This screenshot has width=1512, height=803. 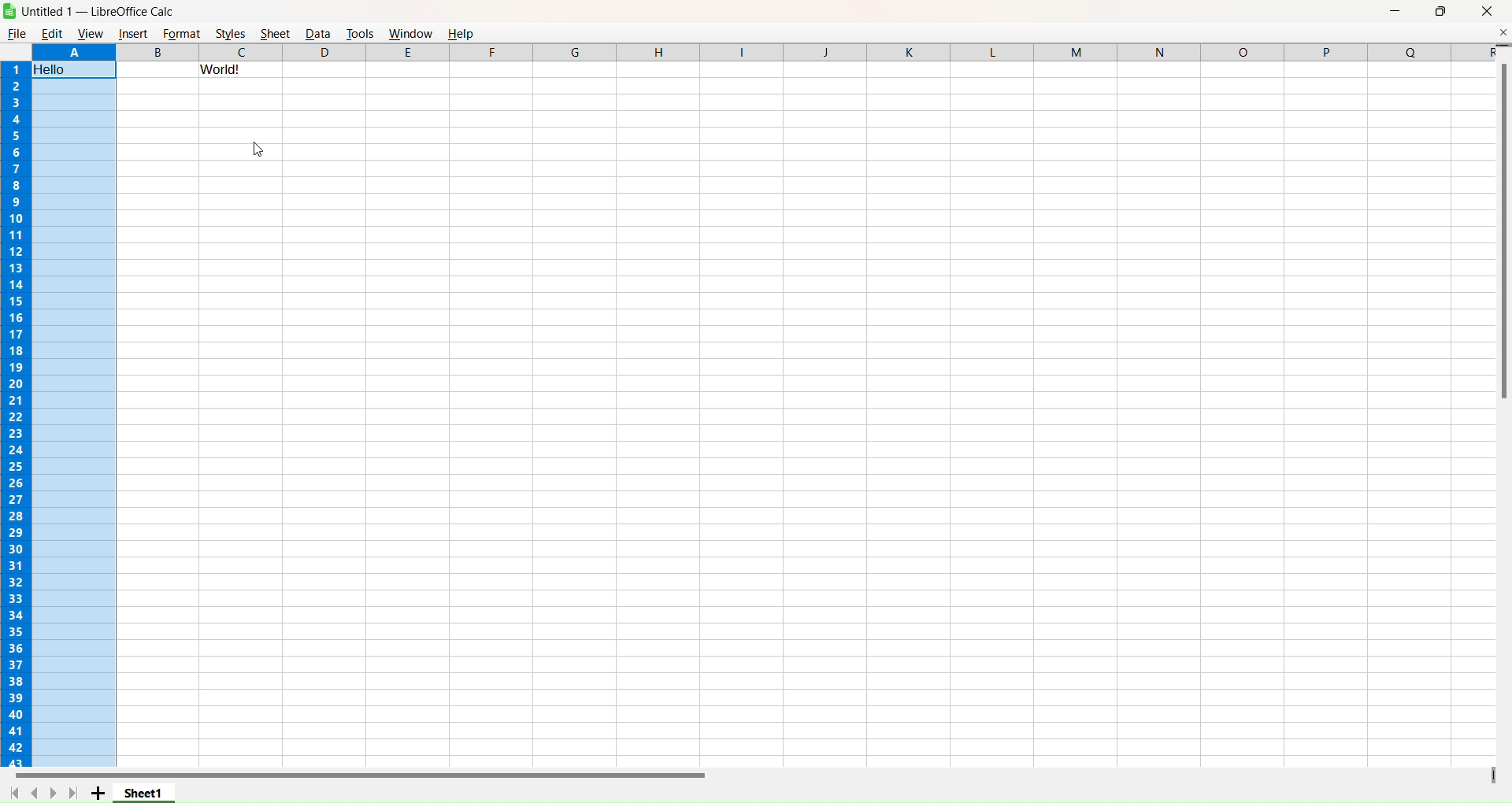 What do you see at coordinates (90, 34) in the screenshot?
I see `View` at bounding box center [90, 34].